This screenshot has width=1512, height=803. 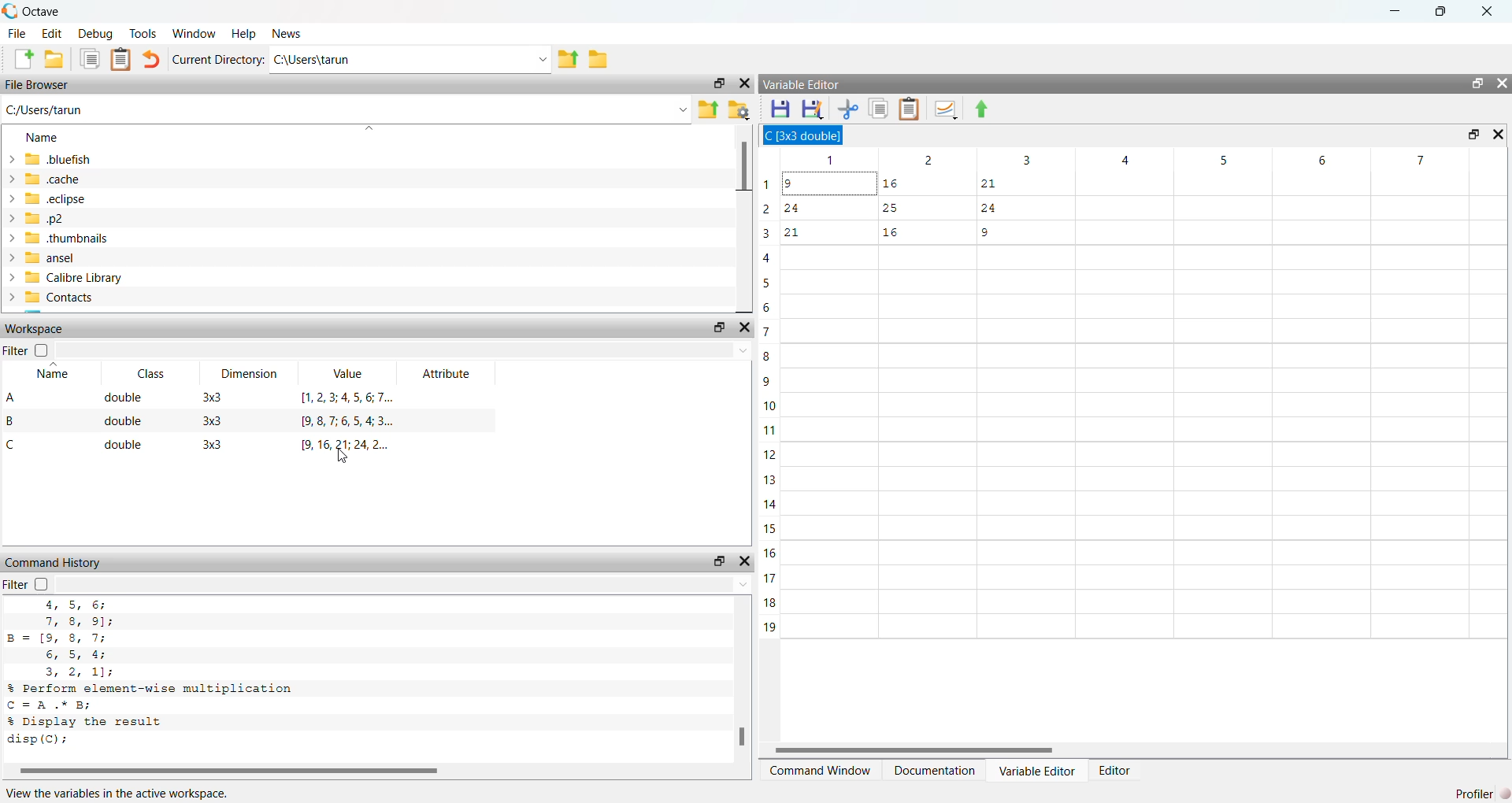 What do you see at coordinates (80, 622) in the screenshot?
I see `7, 8, 9]:` at bounding box center [80, 622].